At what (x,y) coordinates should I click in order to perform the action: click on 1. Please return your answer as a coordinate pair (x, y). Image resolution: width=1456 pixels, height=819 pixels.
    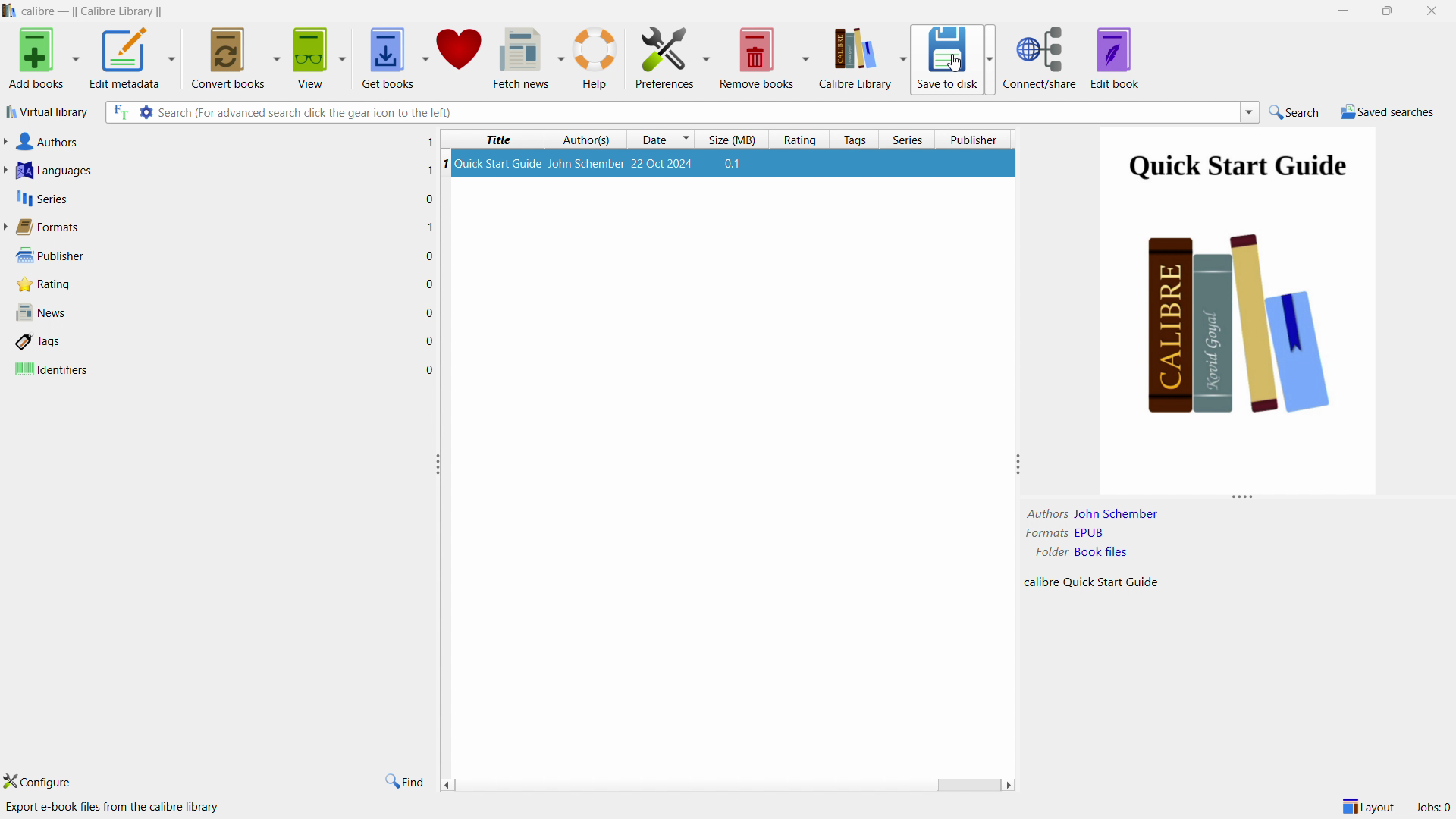
    Looking at the image, I should click on (429, 172).